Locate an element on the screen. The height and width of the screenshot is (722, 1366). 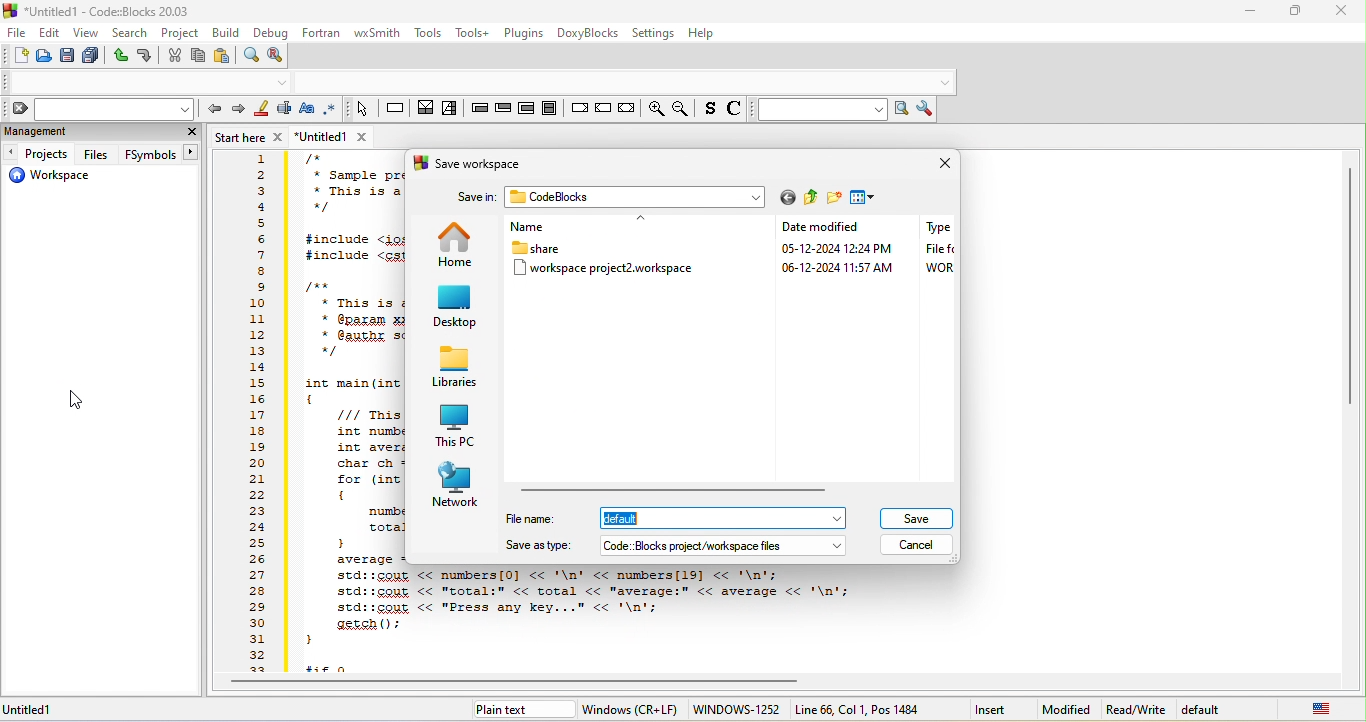
tools++ is located at coordinates (475, 32).